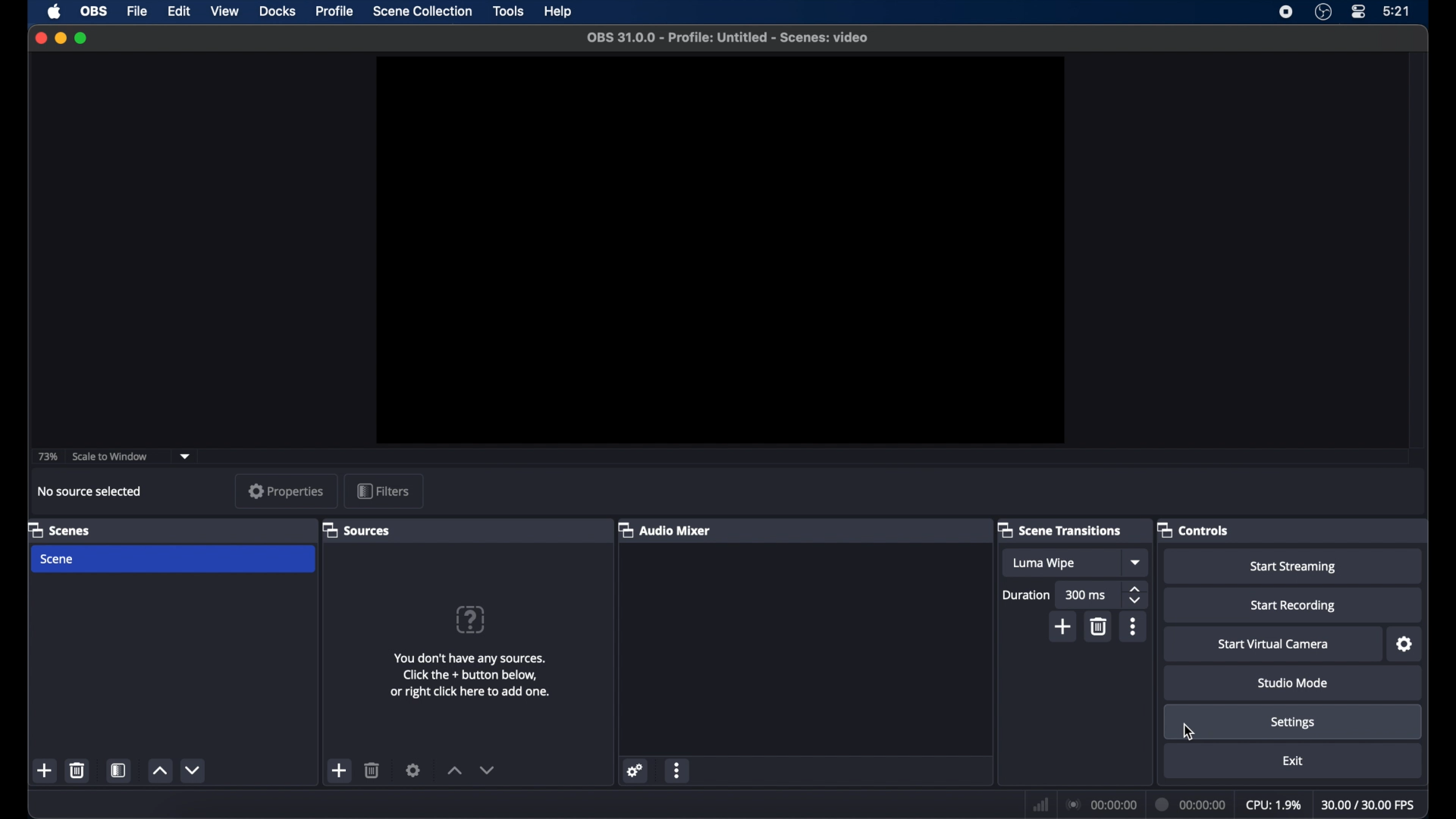 The height and width of the screenshot is (819, 1456). I want to click on scene, so click(58, 559).